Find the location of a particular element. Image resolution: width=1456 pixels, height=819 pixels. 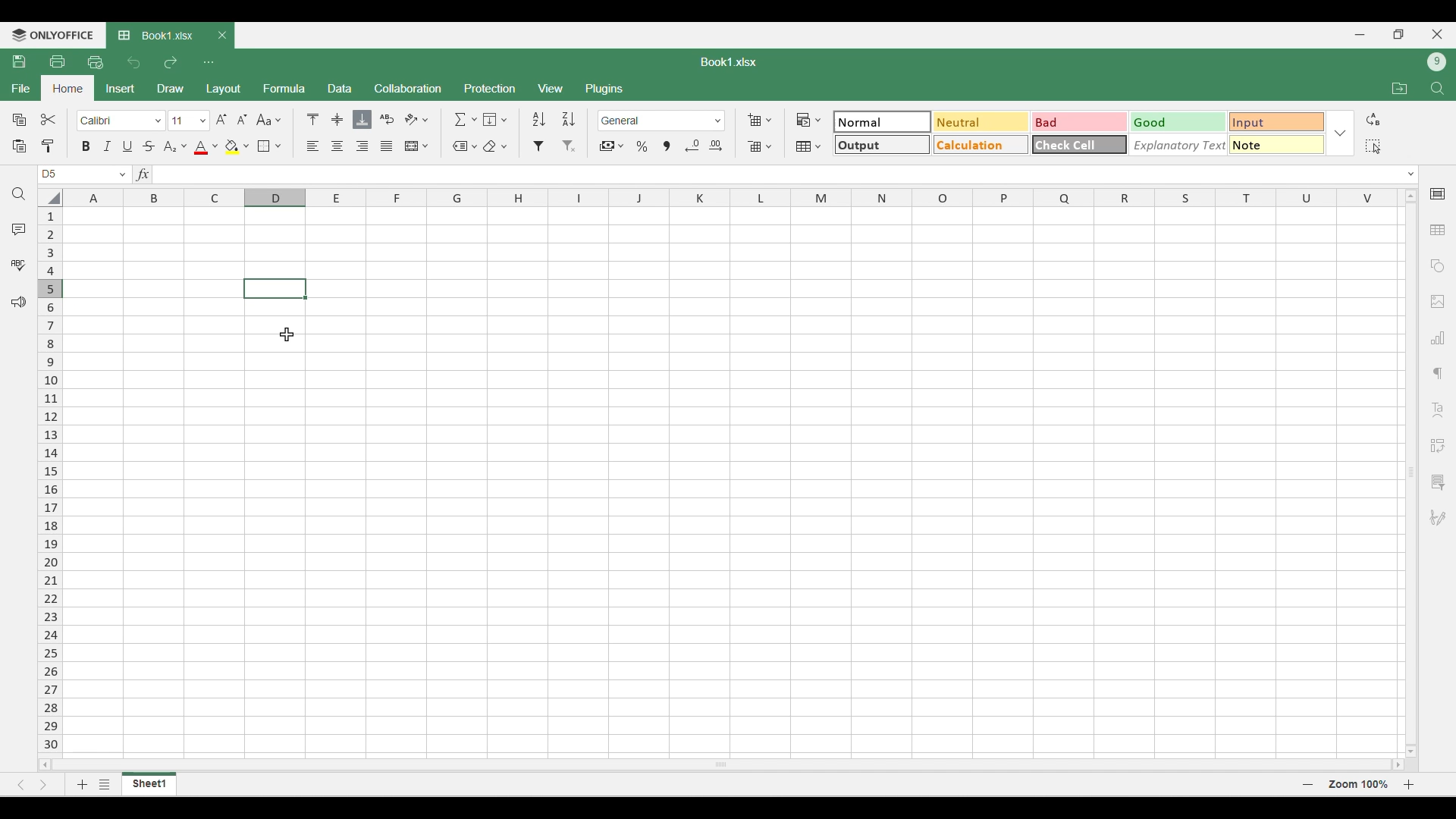

Show in smaller tab is located at coordinates (1399, 34).